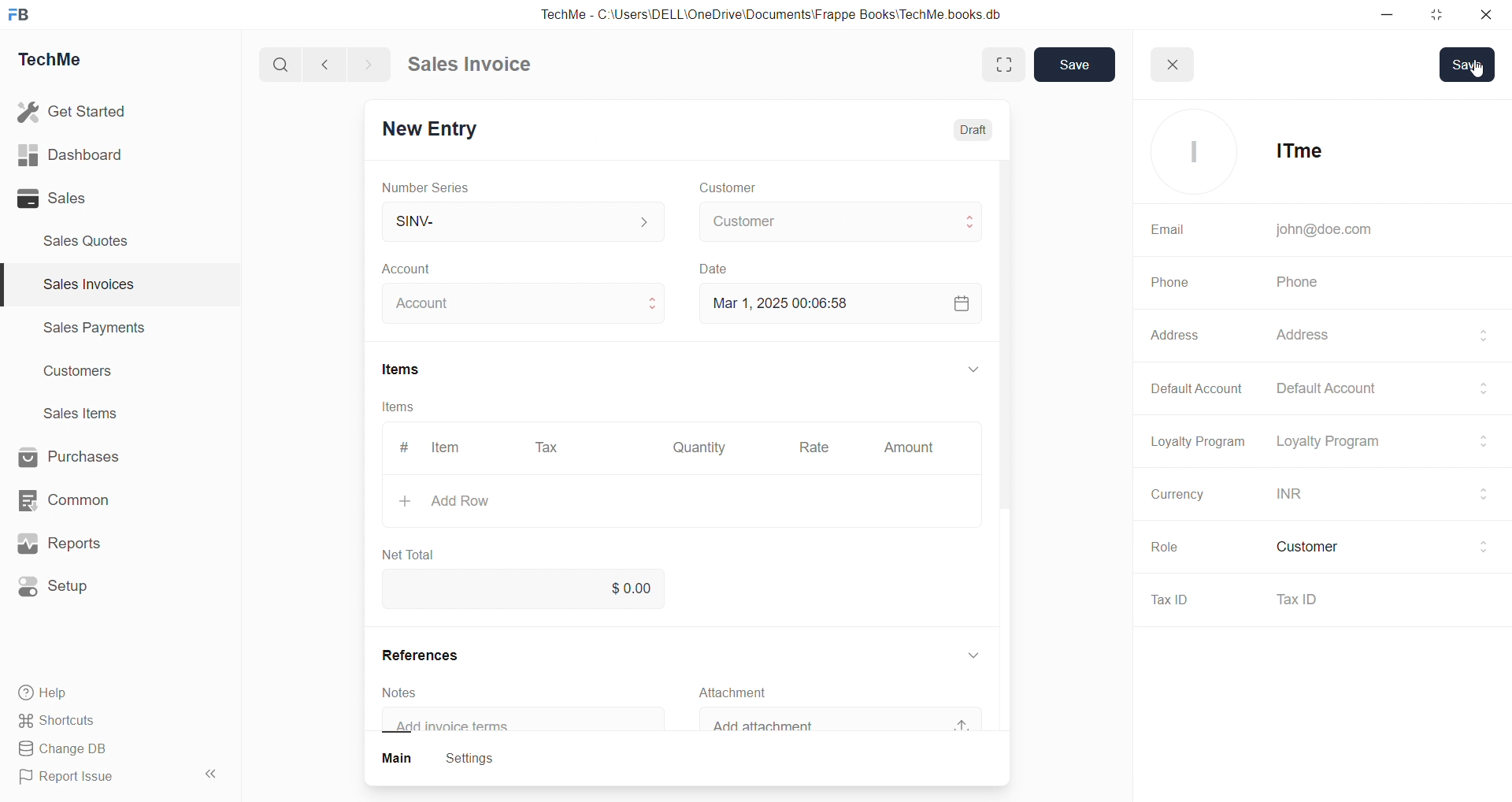 The height and width of the screenshot is (802, 1512). I want to click on Settings, so click(476, 757).